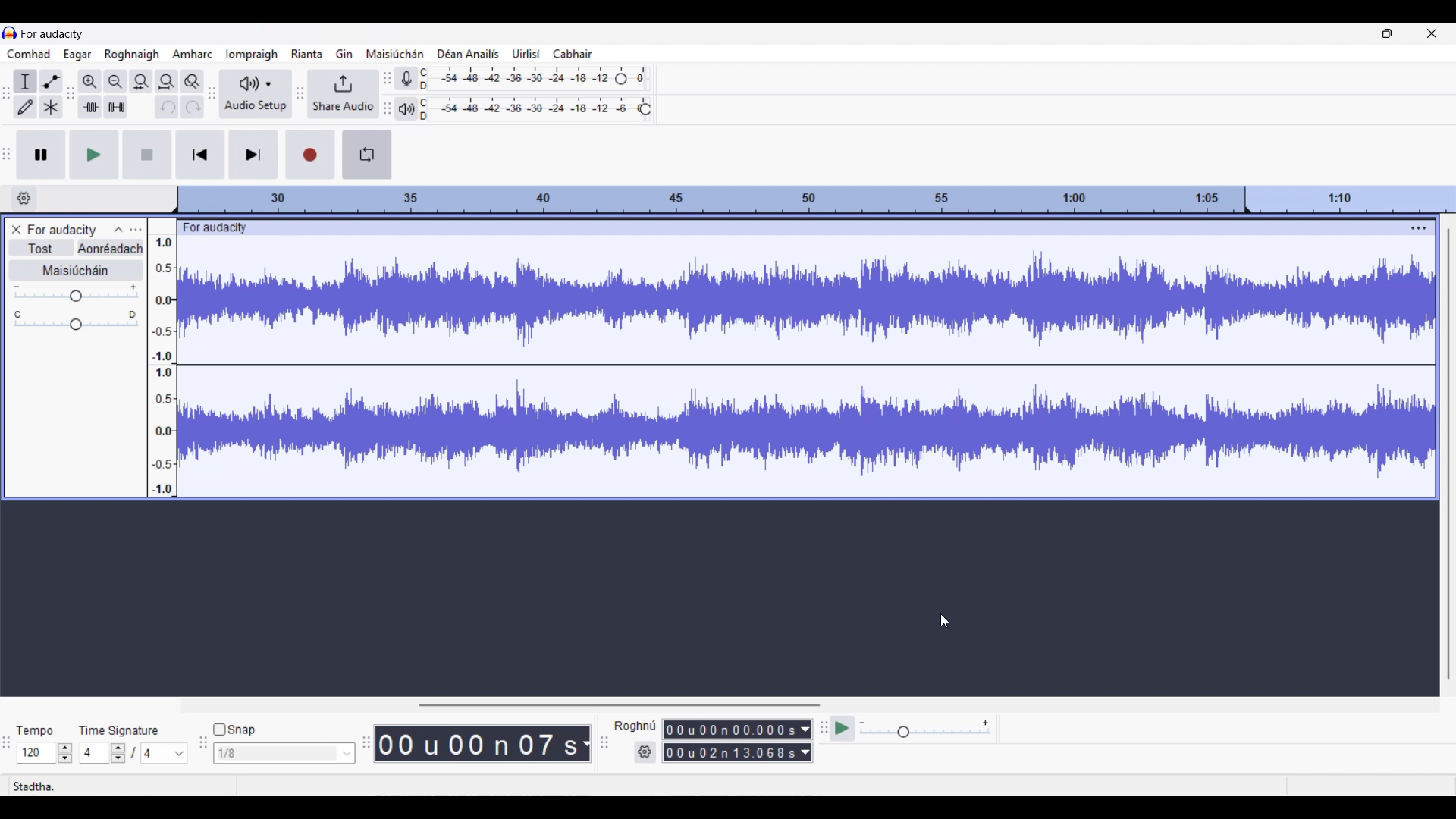 Image resolution: width=1456 pixels, height=819 pixels. Describe the element at coordinates (642, 752) in the screenshot. I see `Selection settings` at that location.